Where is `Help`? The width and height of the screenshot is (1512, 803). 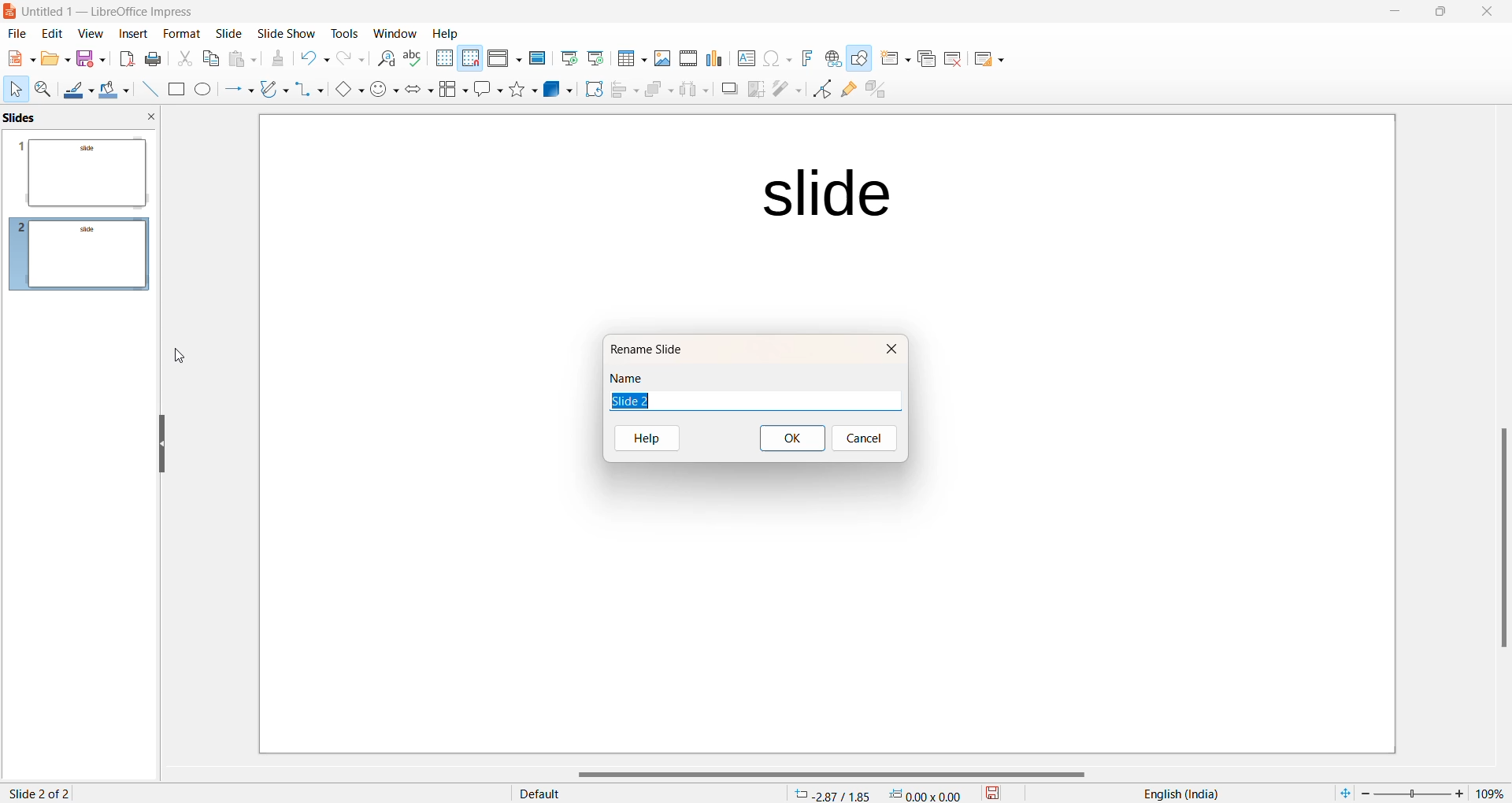
Help is located at coordinates (455, 33).